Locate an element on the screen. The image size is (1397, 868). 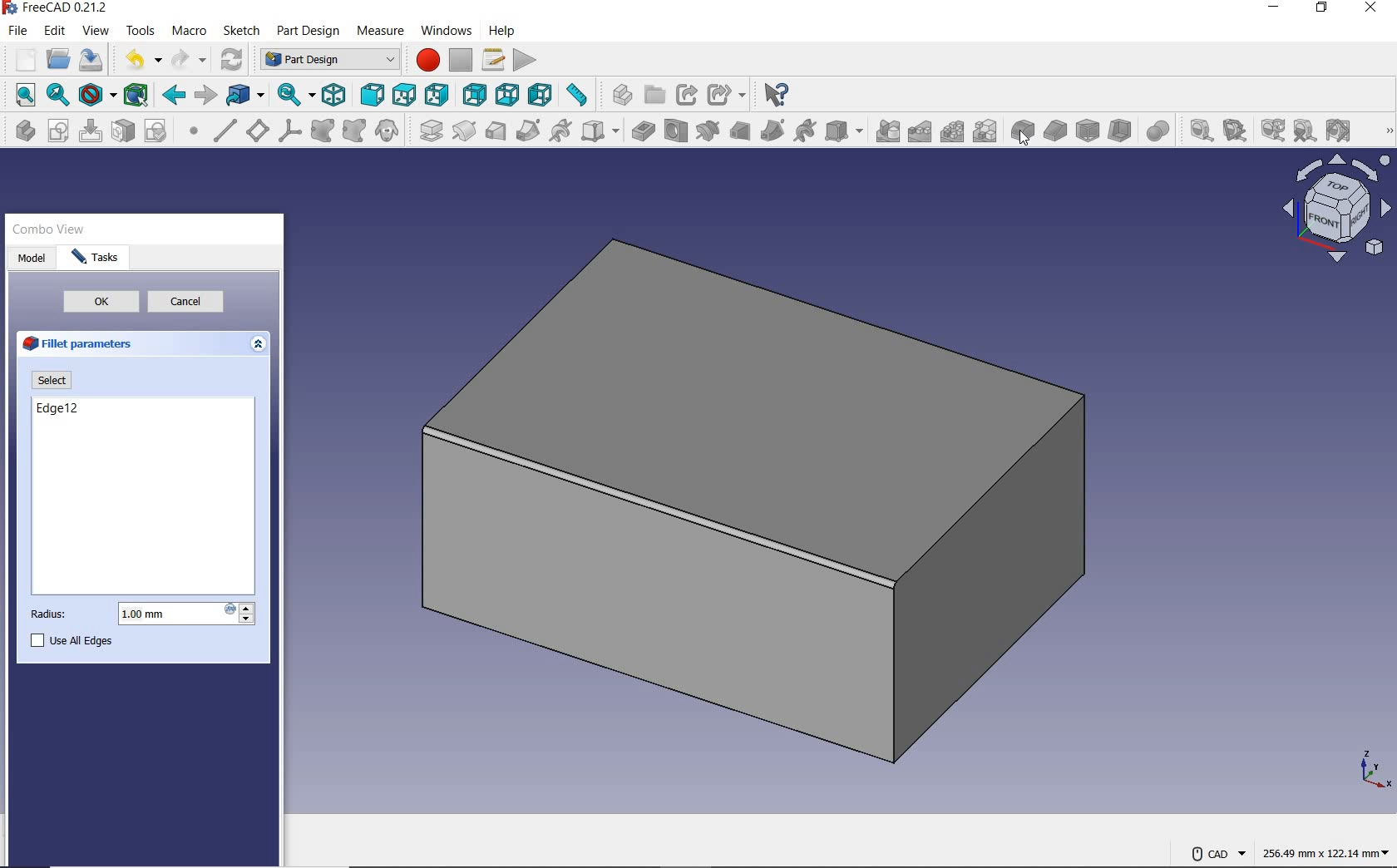
bottom is located at coordinates (506, 95).